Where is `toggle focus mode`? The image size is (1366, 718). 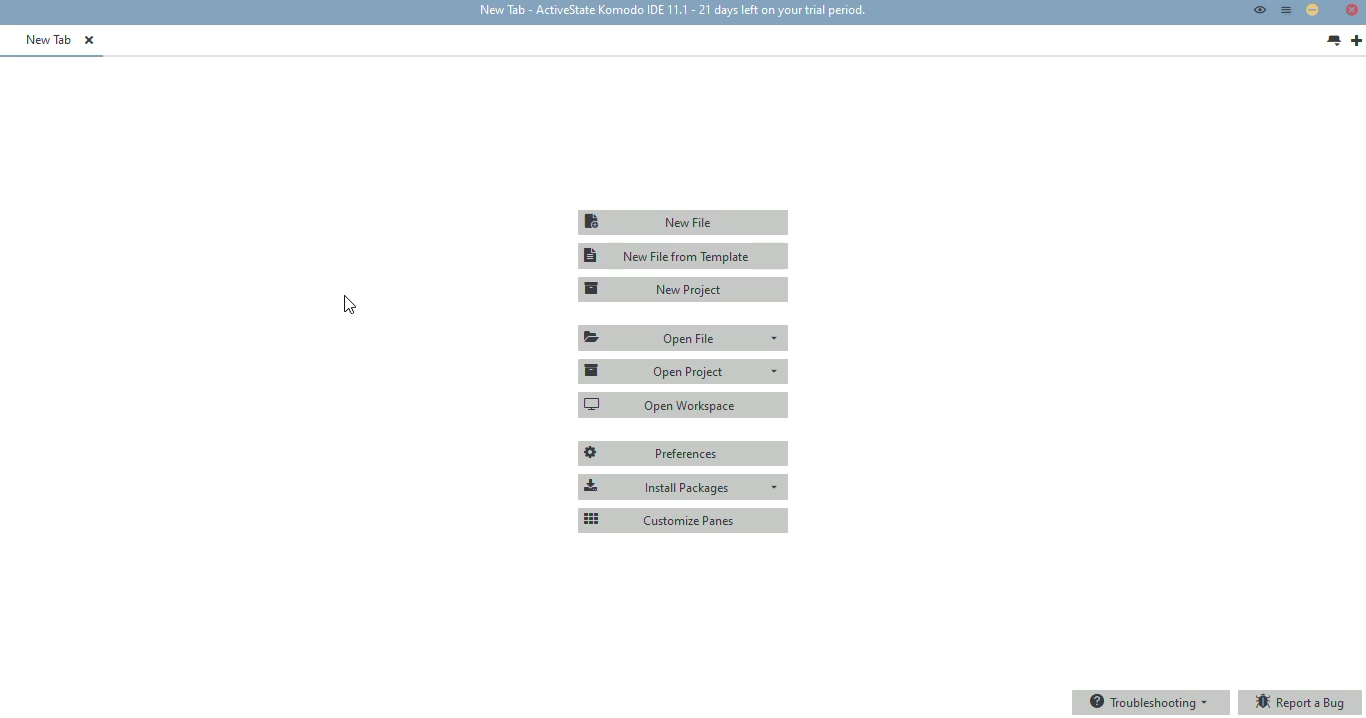 toggle focus mode is located at coordinates (1260, 9).